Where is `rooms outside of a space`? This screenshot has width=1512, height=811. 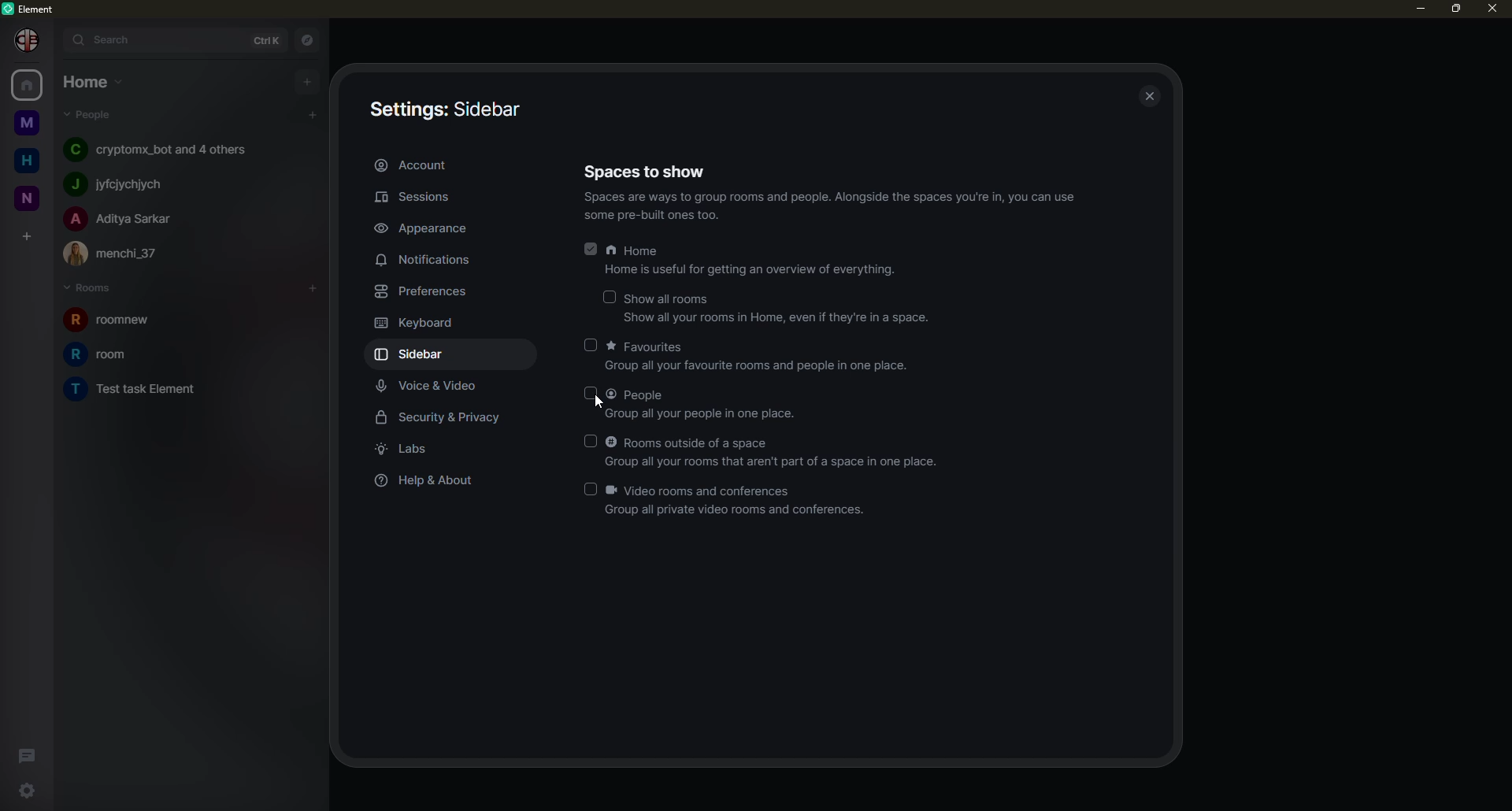
rooms outside of a space is located at coordinates (777, 451).